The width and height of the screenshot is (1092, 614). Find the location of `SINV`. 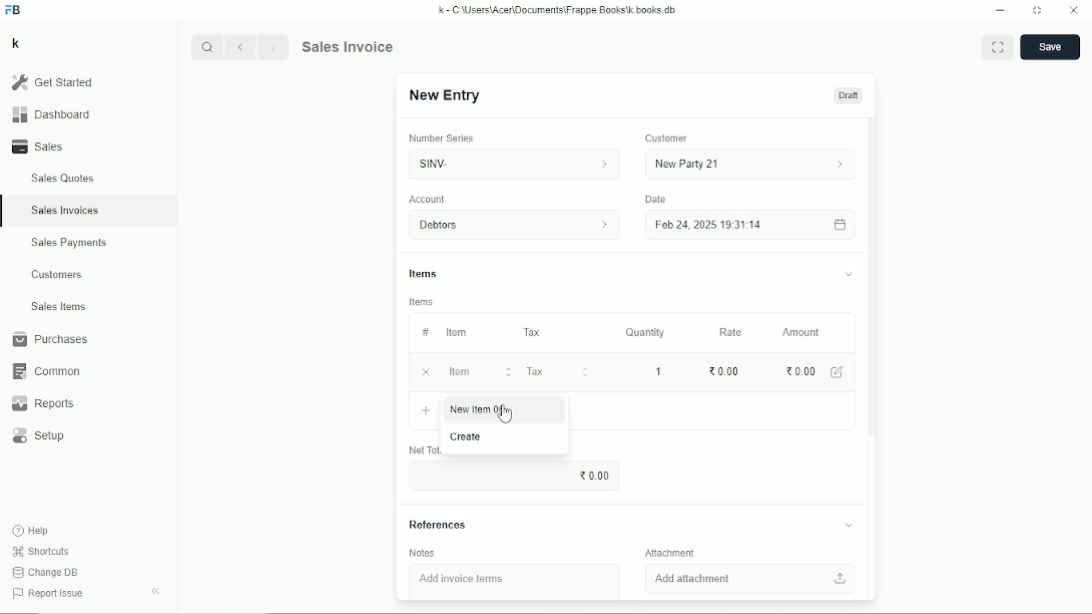

SINV is located at coordinates (511, 164).